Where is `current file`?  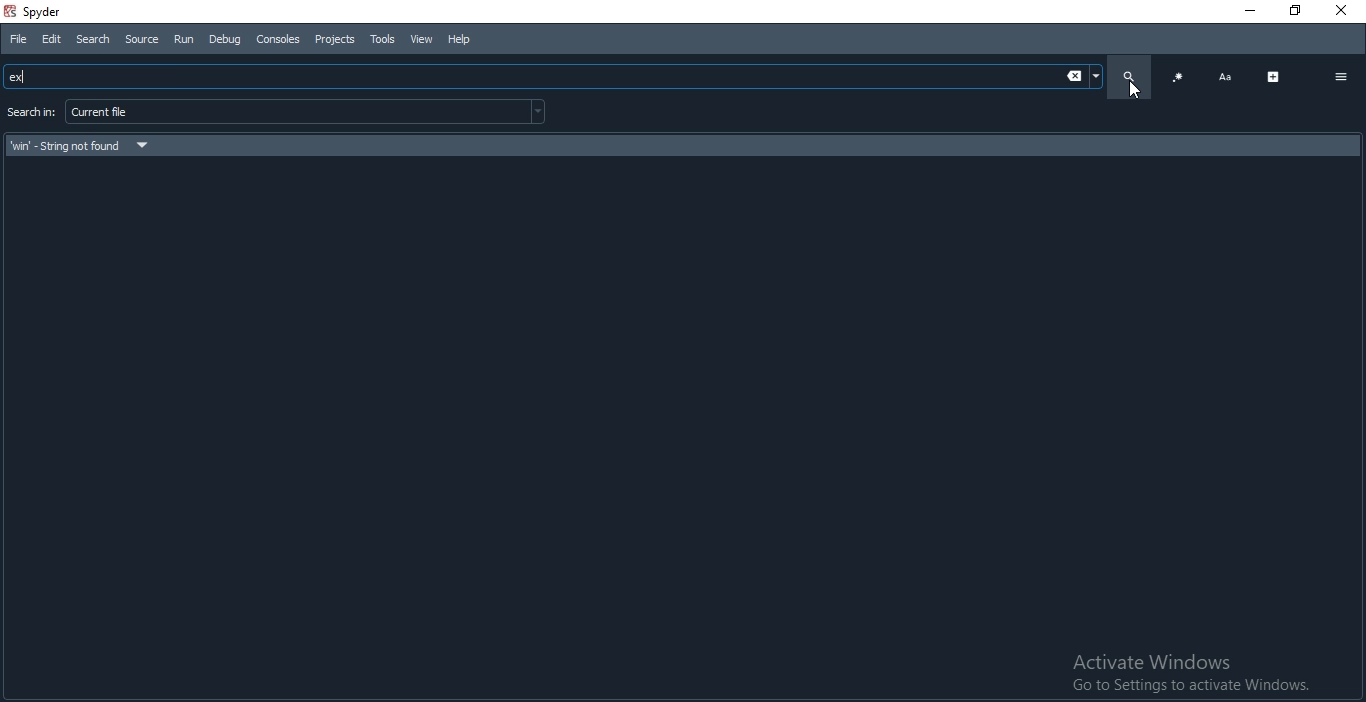
current file is located at coordinates (307, 111).